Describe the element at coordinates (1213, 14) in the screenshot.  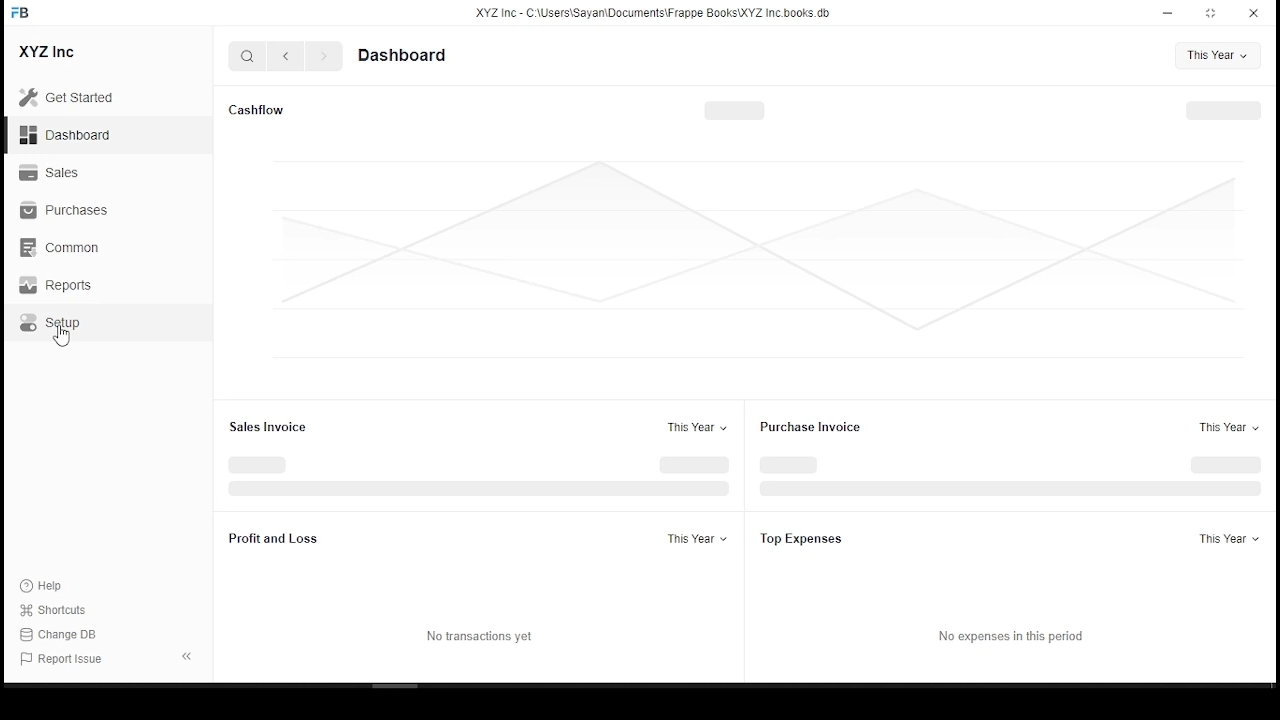
I see `Maximize` at that location.